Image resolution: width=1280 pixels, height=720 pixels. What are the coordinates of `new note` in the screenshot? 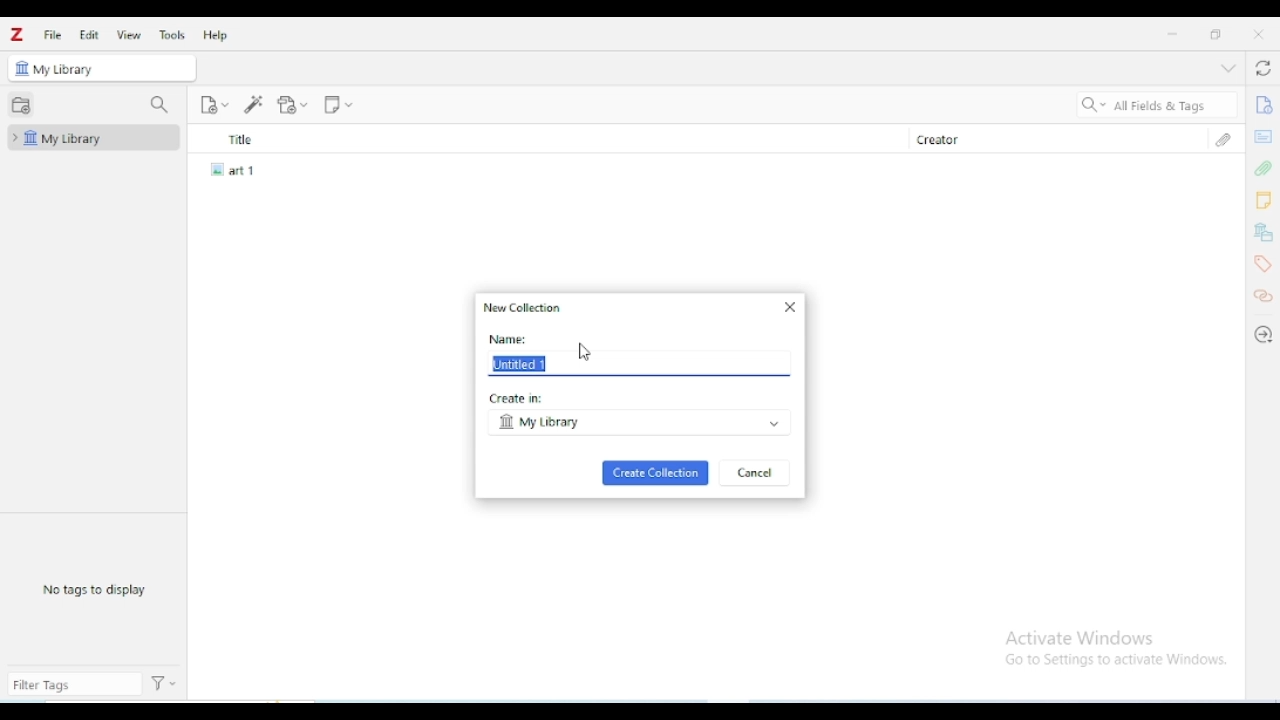 It's located at (338, 103).